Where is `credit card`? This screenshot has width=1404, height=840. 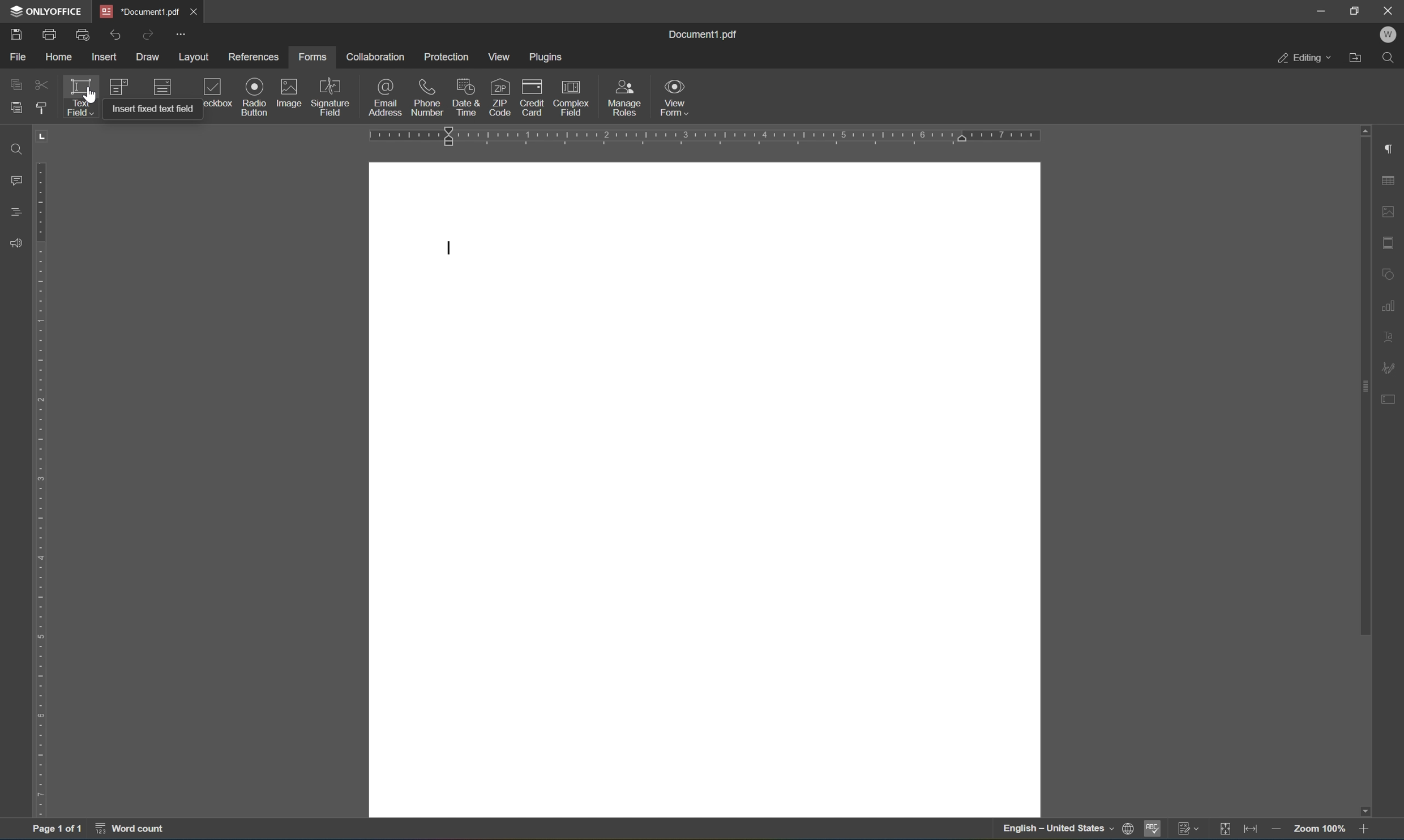
credit card is located at coordinates (533, 96).